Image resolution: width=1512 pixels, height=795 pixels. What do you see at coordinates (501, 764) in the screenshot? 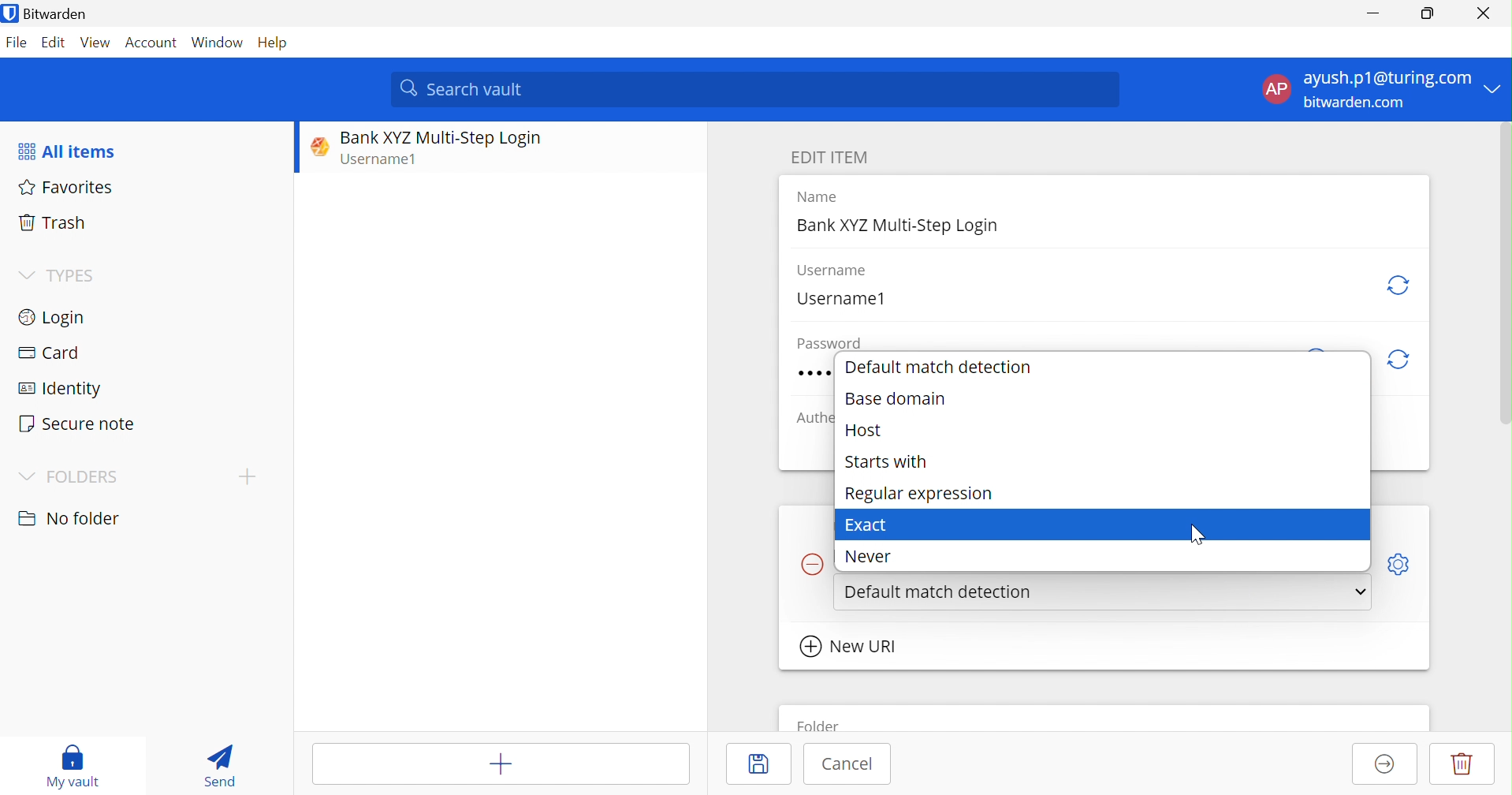
I see `Add item` at bounding box center [501, 764].